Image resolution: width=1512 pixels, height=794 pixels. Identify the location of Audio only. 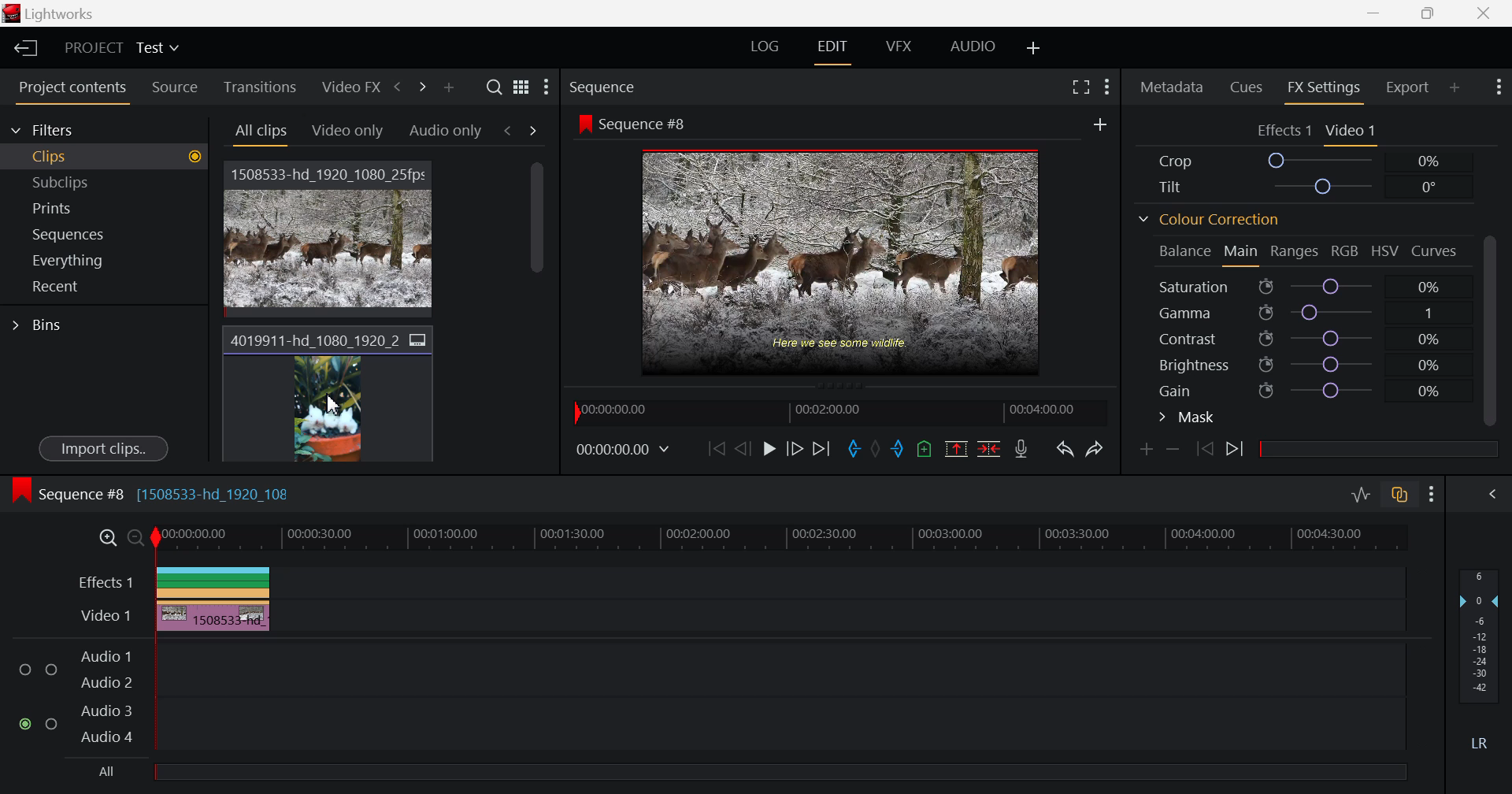
(444, 130).